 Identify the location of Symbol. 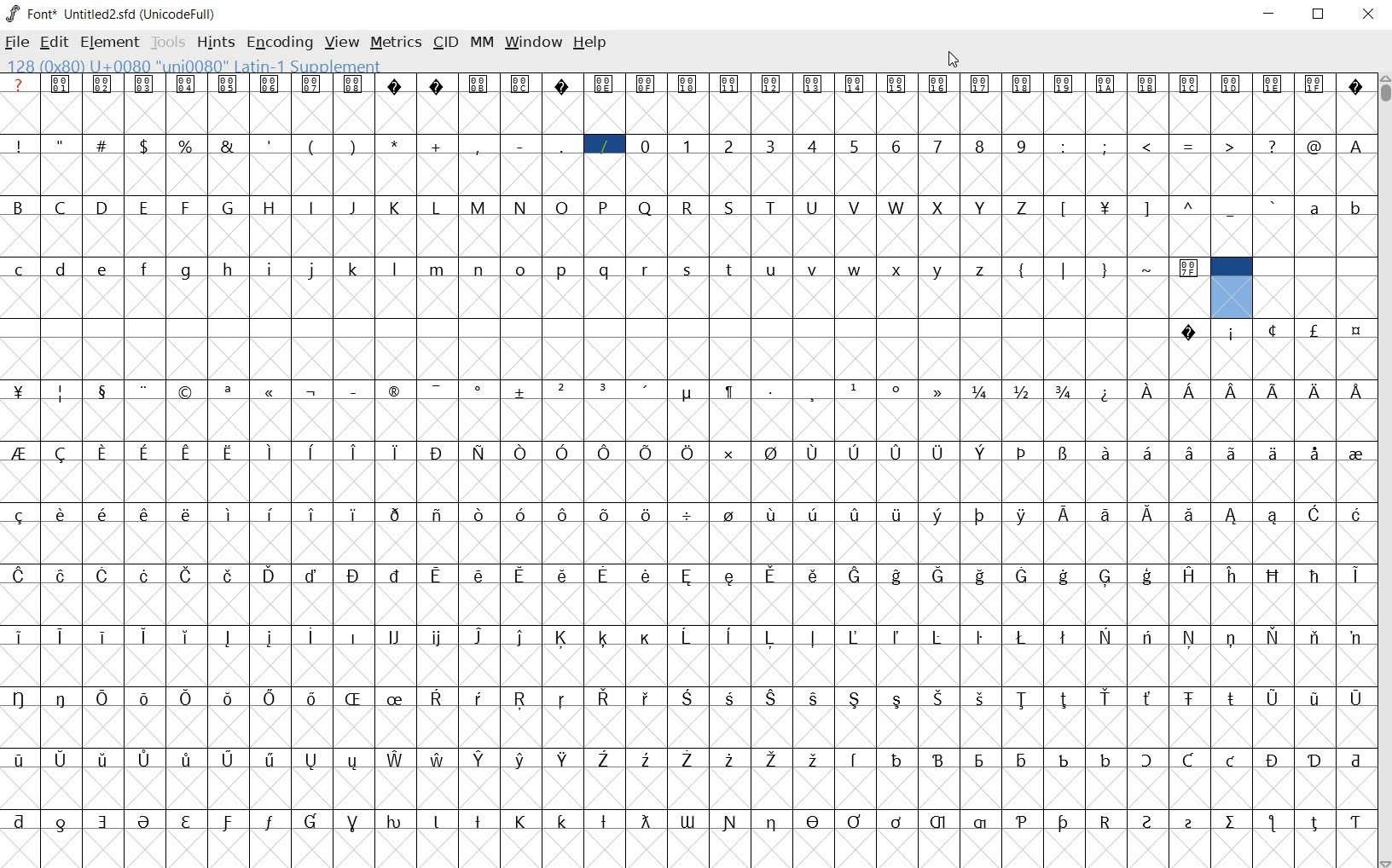
(896, 512).